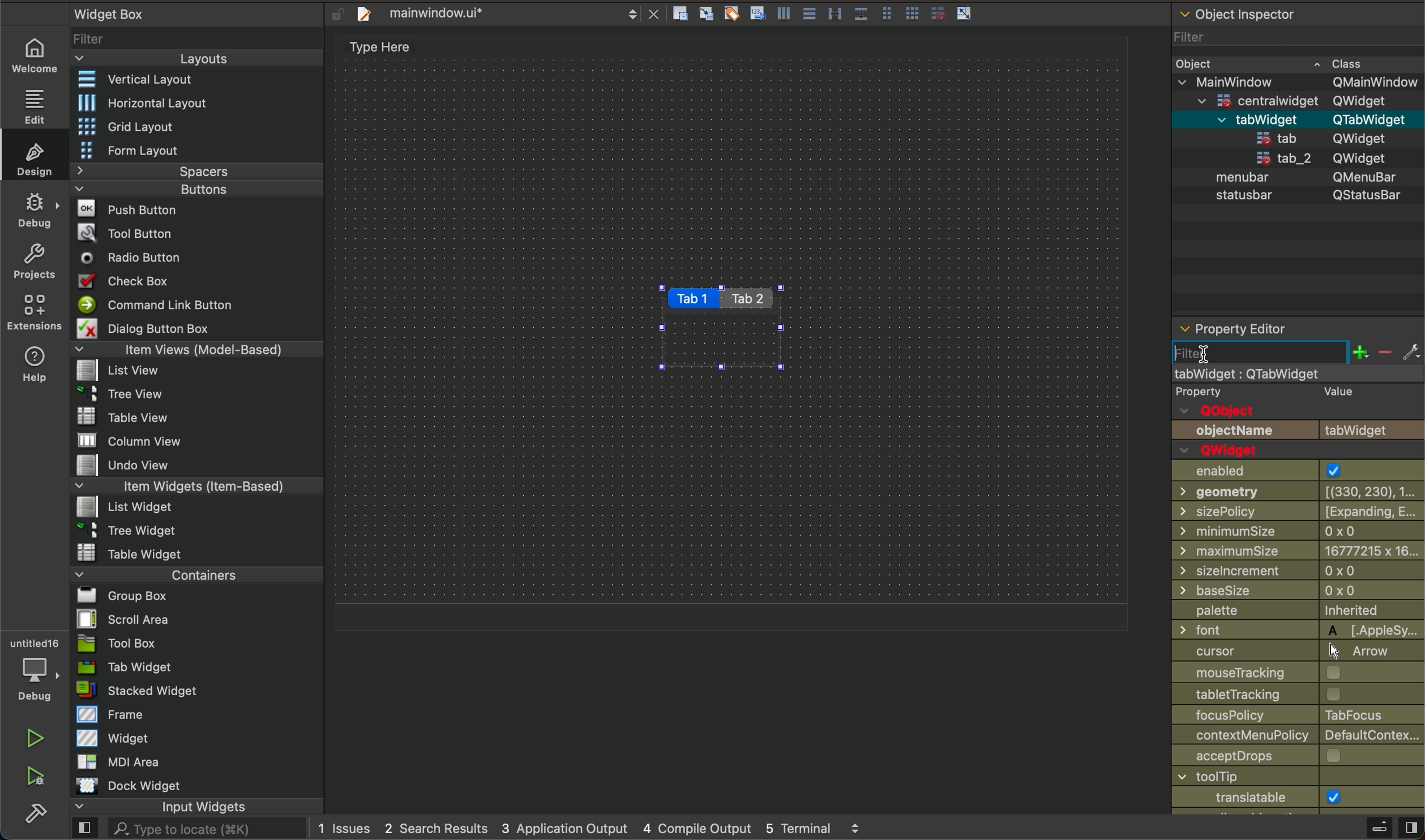  I want to click on run and debuh, so click(42, 777).